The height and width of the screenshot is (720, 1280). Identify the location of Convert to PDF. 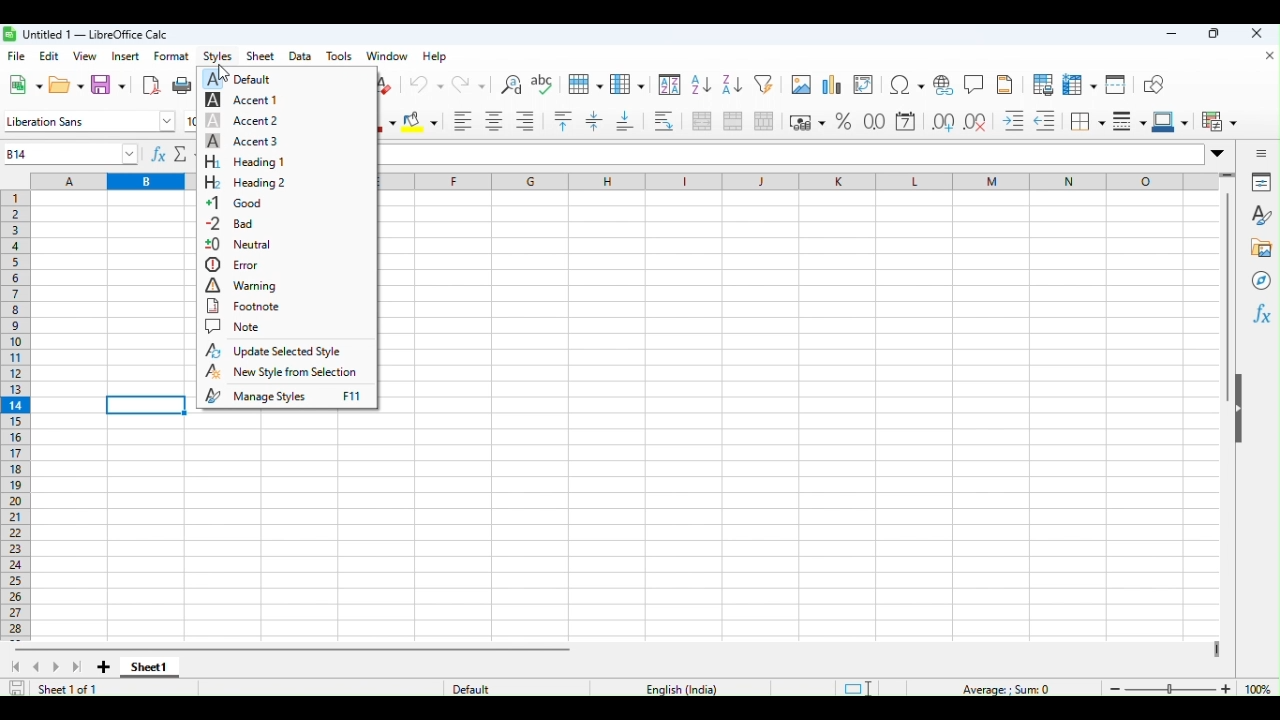
(150, 83).